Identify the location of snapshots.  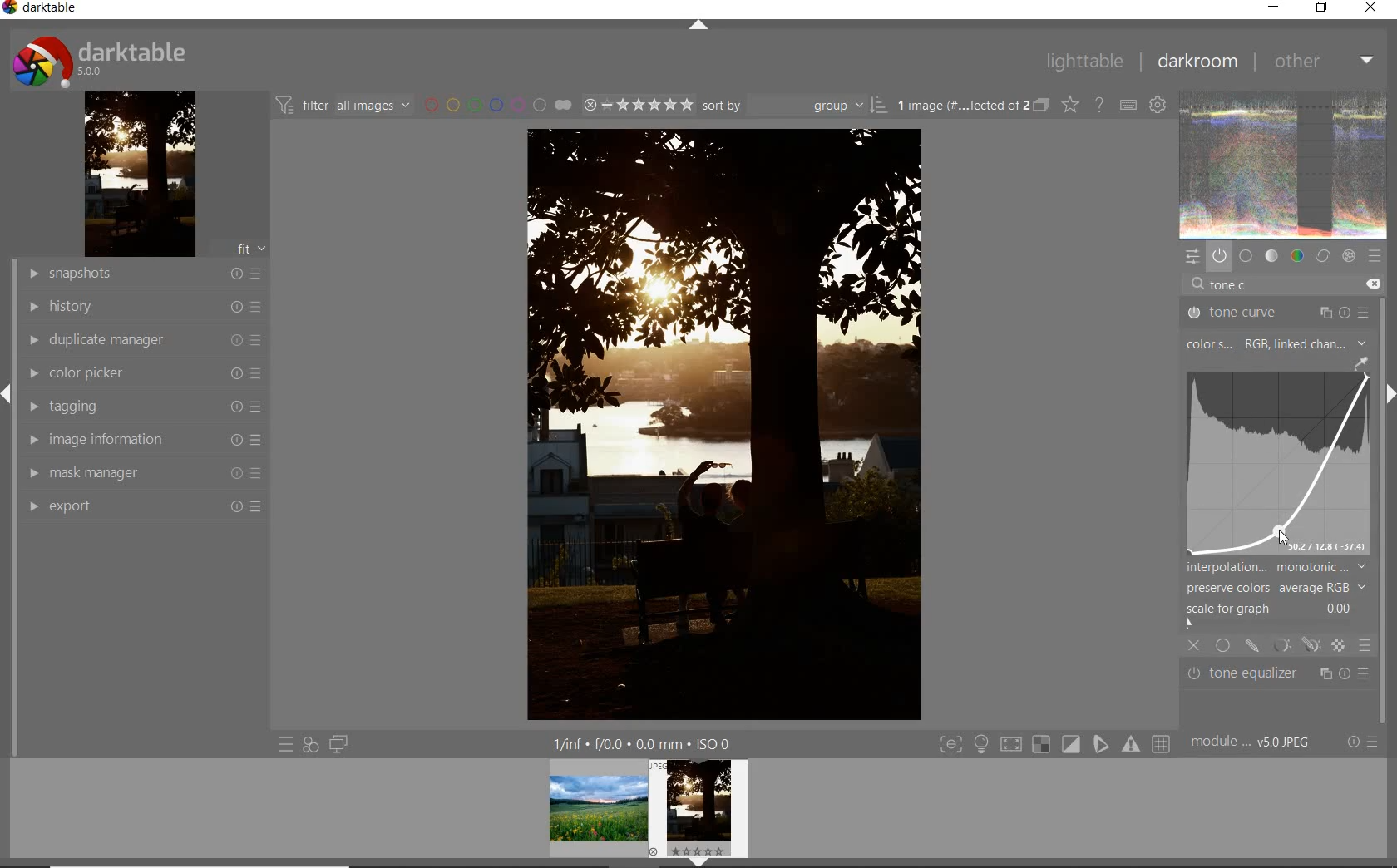
(139, 273).